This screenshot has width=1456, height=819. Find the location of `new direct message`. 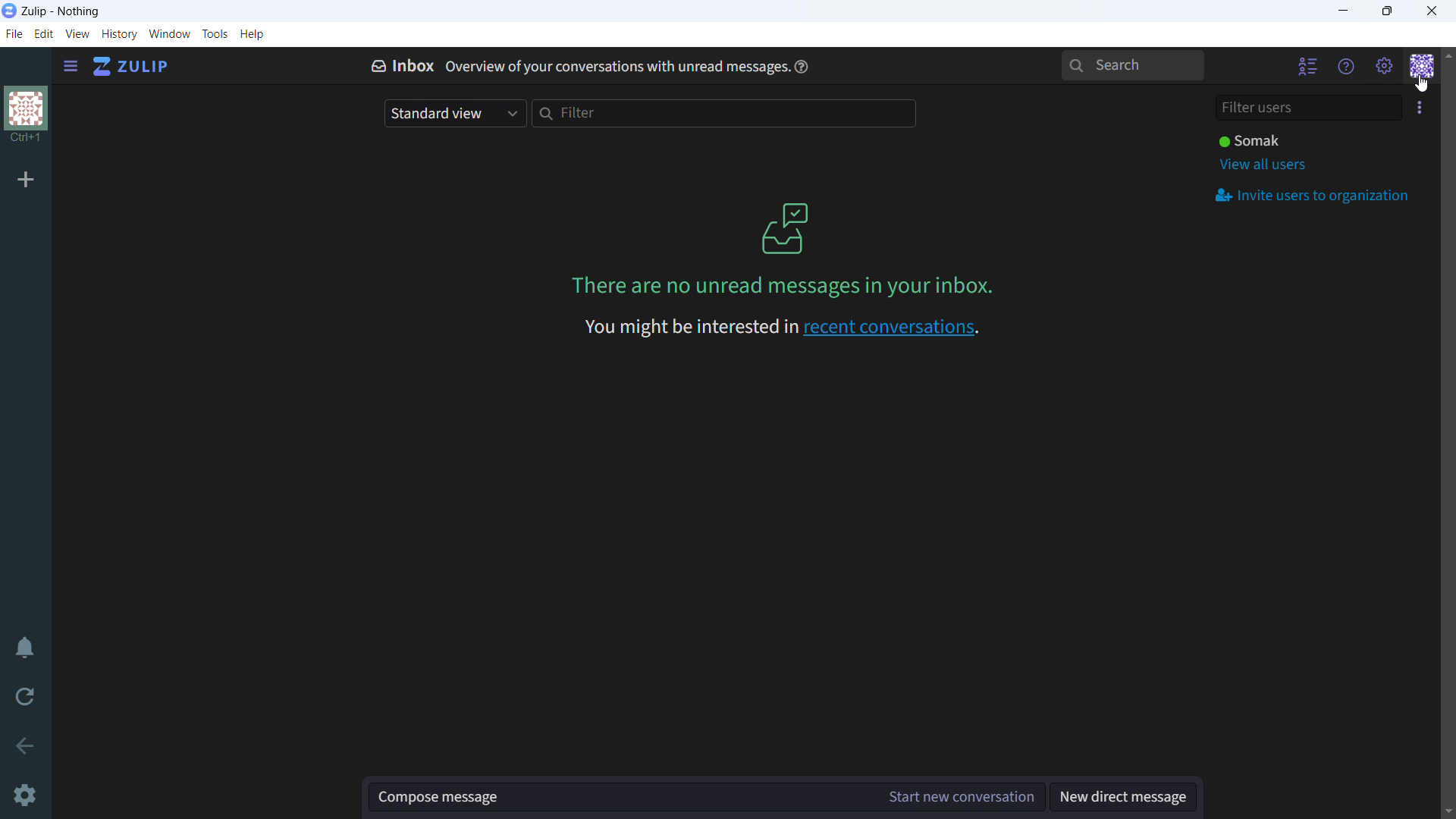

new direct message is located at coordinates (1122, 796).